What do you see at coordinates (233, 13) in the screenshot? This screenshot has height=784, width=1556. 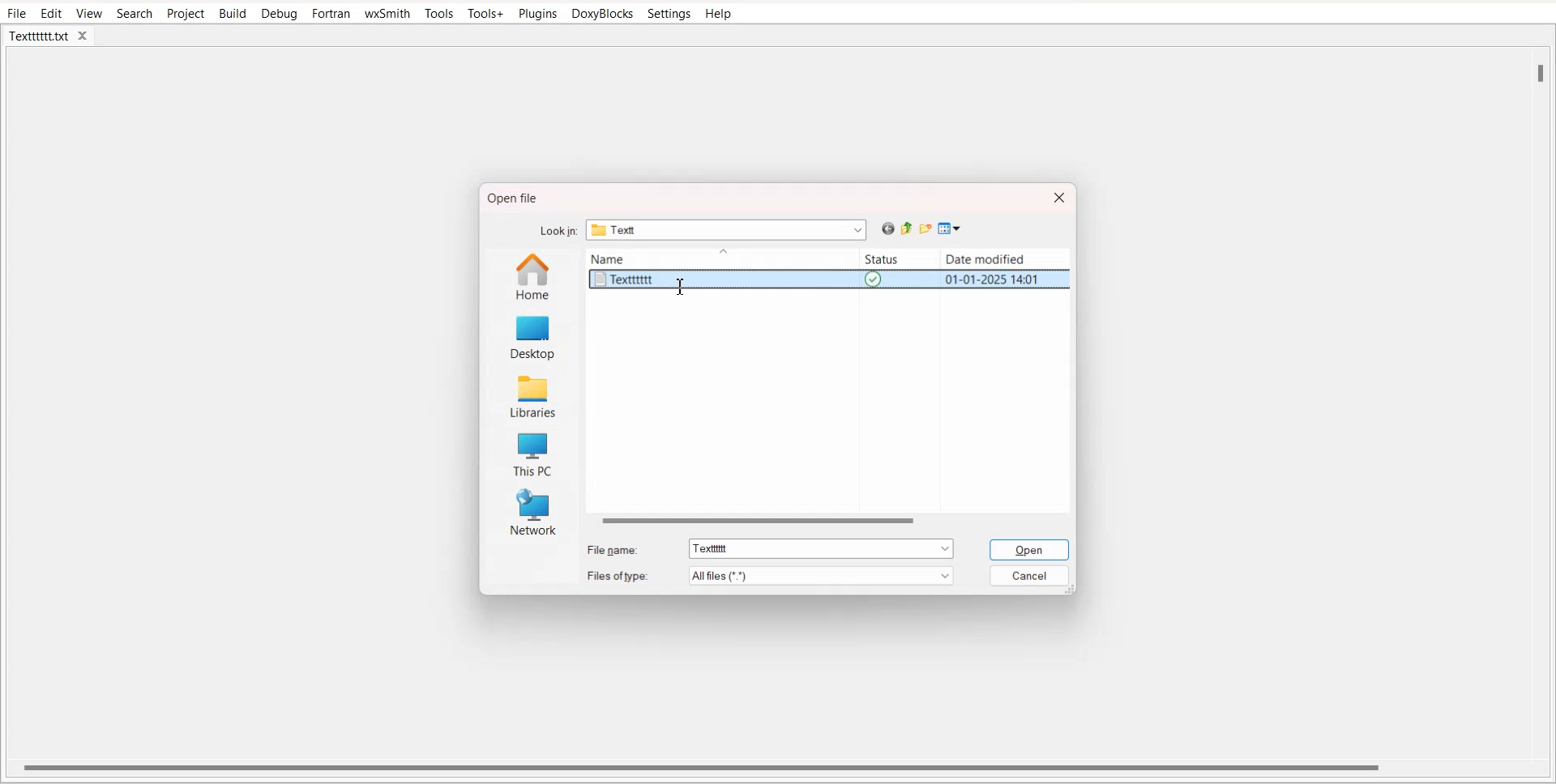 I see `Build` at bounding box center [233, 13].